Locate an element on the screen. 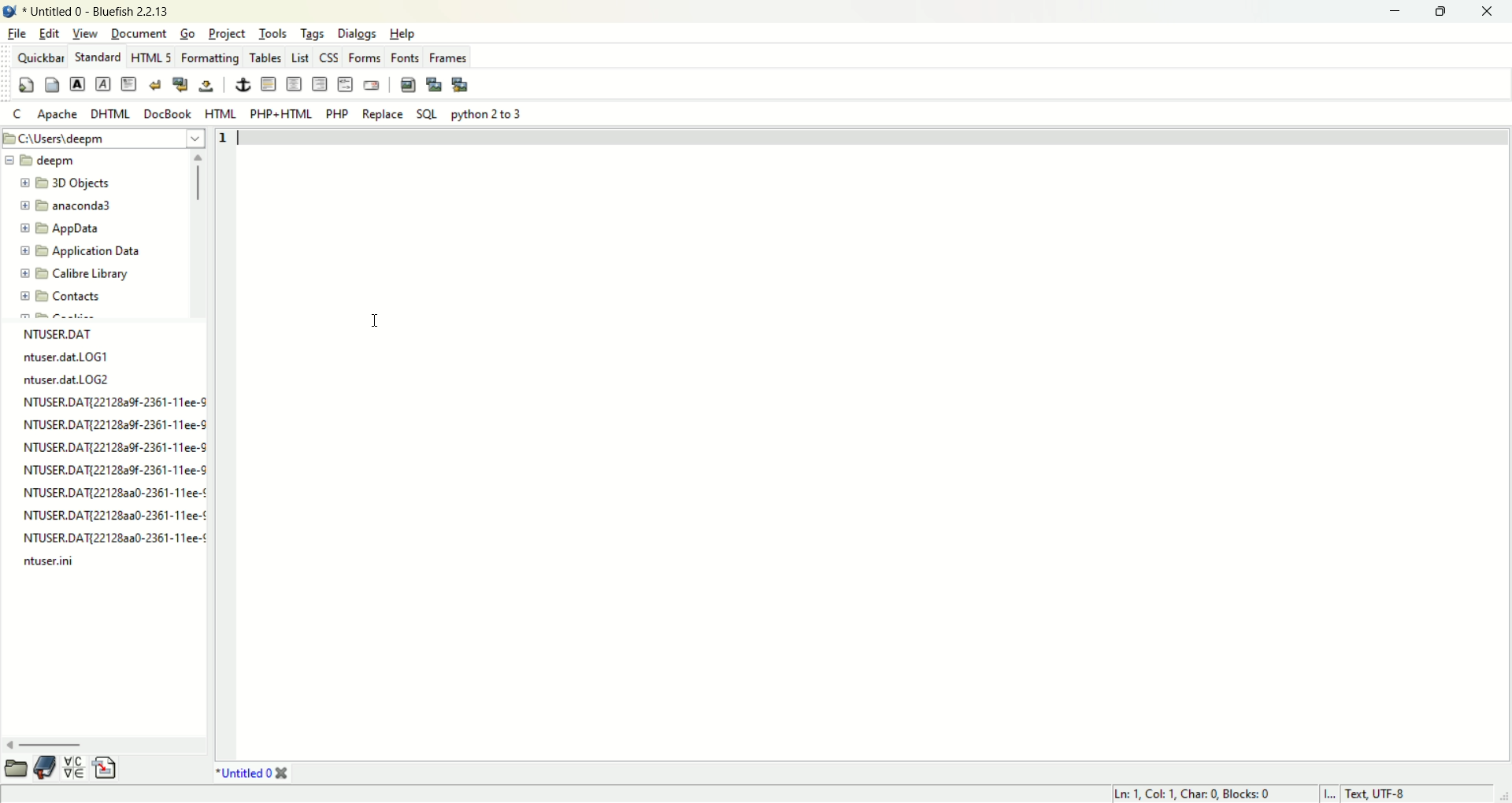 The height and width of the screenshot is (803, 1512). snippet is located at coordinates (106, 769).